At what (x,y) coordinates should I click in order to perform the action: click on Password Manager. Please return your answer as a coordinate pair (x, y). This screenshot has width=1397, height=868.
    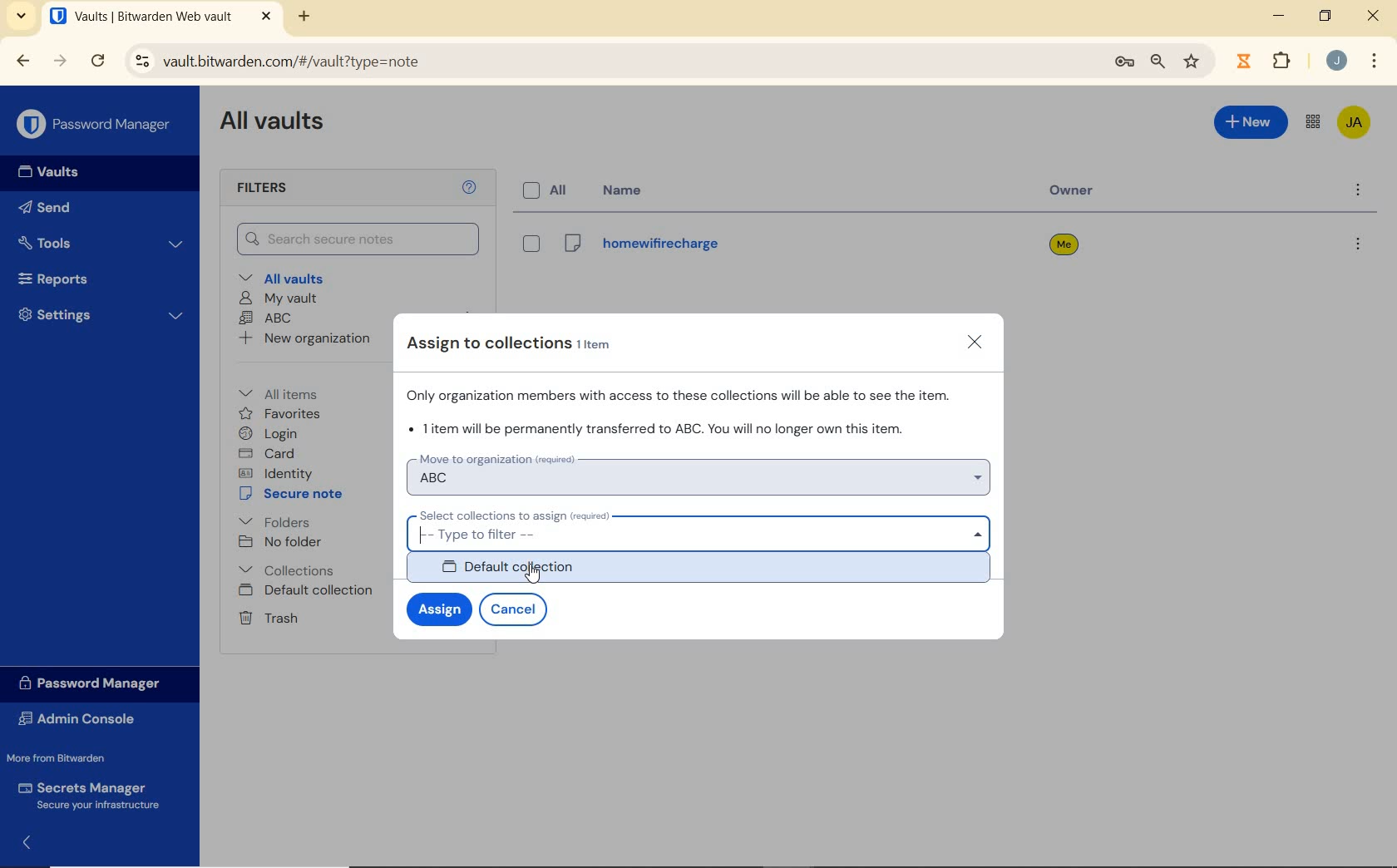
    Looking at the image, I should click on (95, 125).